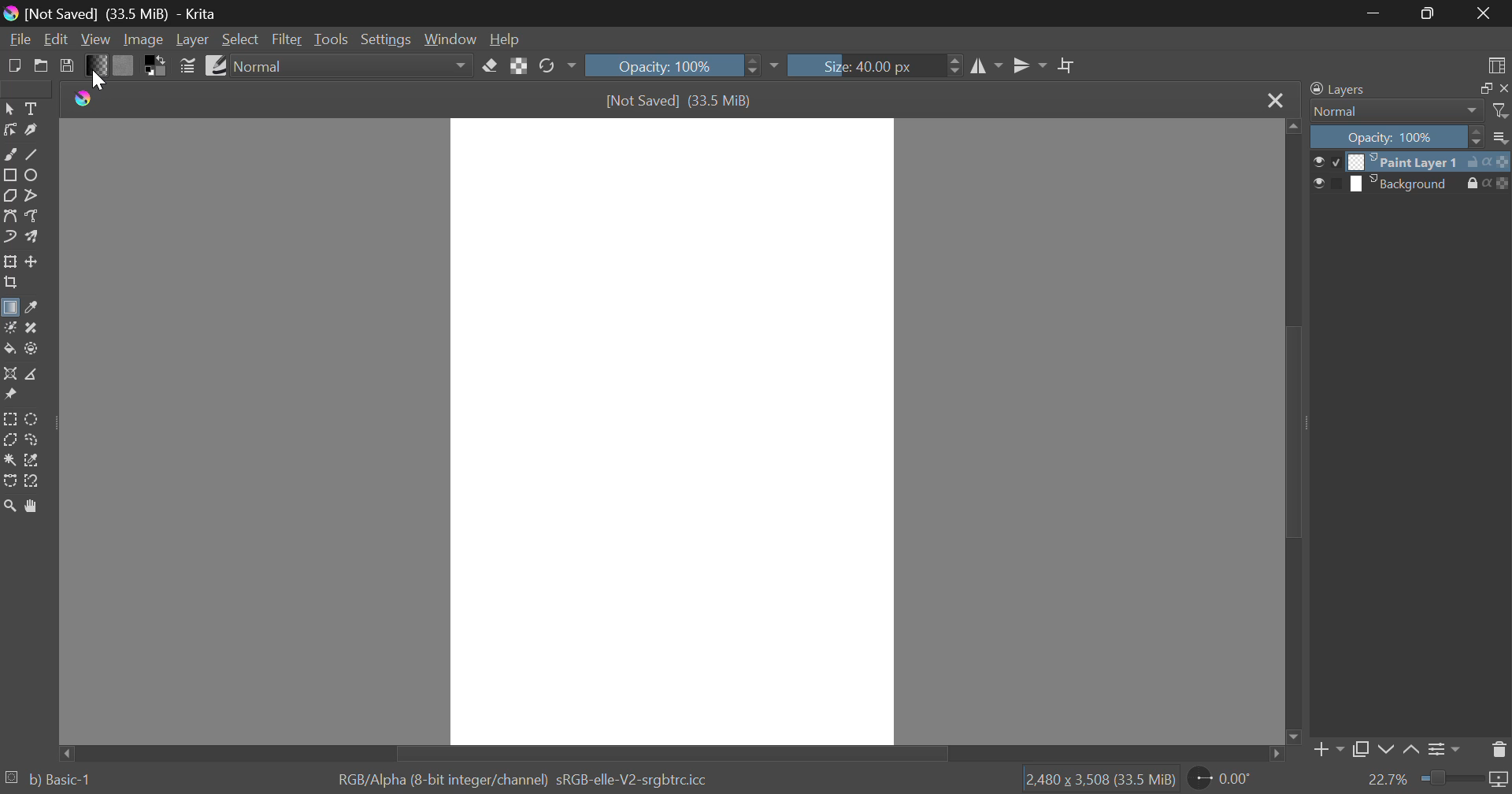 This screenshot has width=1512, height=794. I want to click on cursor, so click(102, 80).